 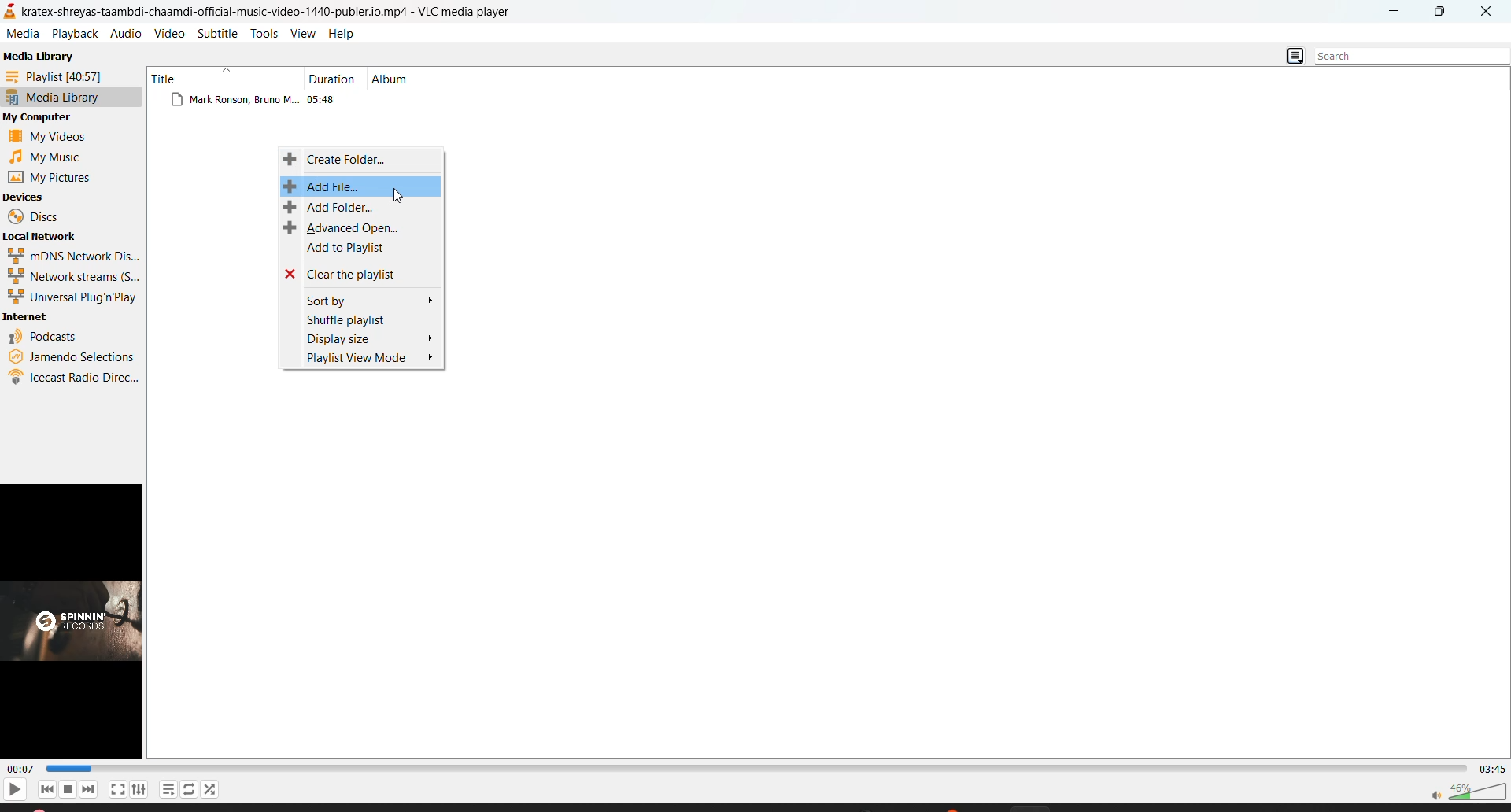 I want to click on create folder, so click(x=338, y=161).